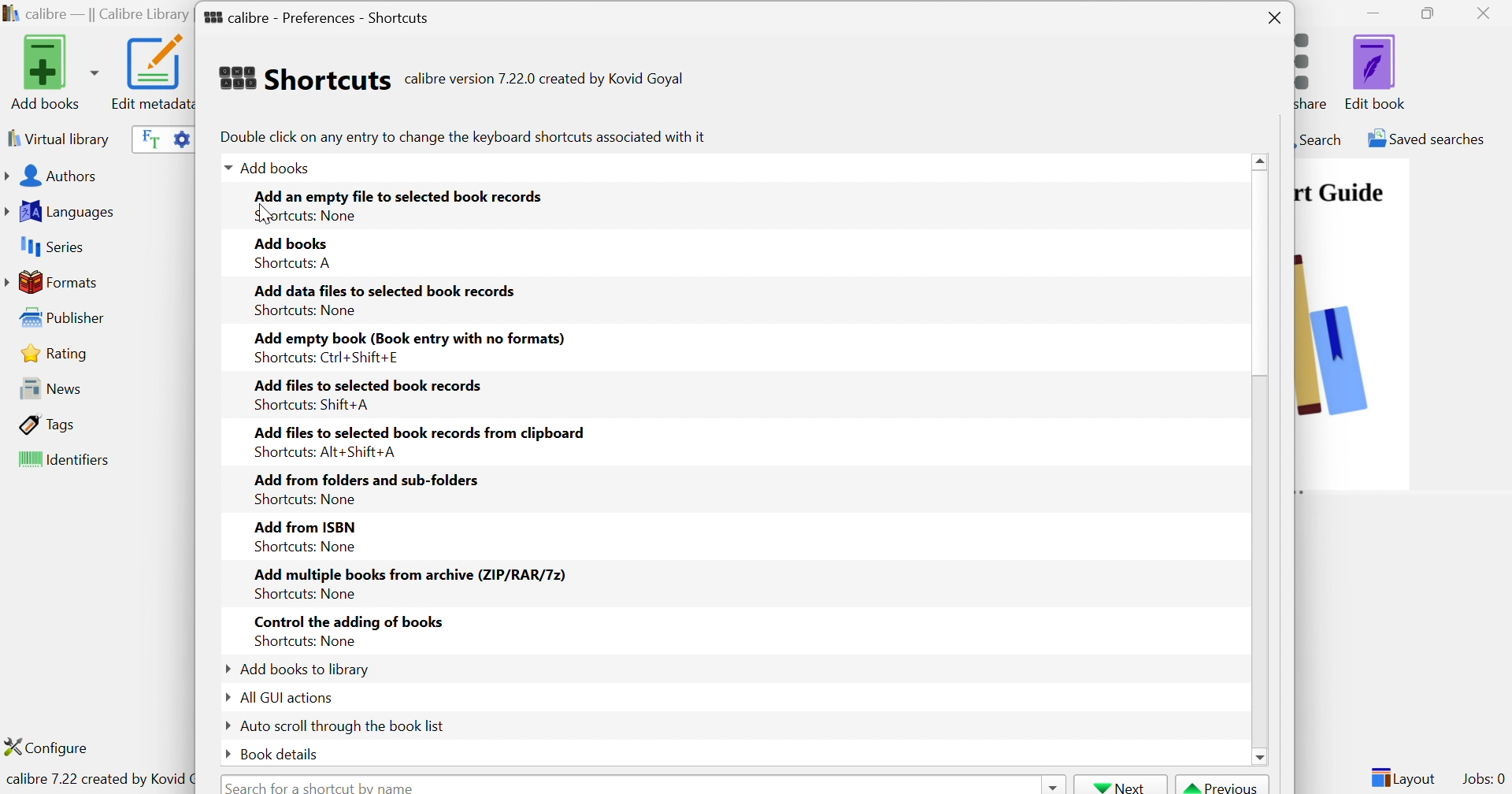 The width and height of the screenshot is (1512, 794). Describe the element at coordinates (461, 136) in the screenshot. I see `Double click on any entry to change the keyboard shortcuts associated with it` at that location.